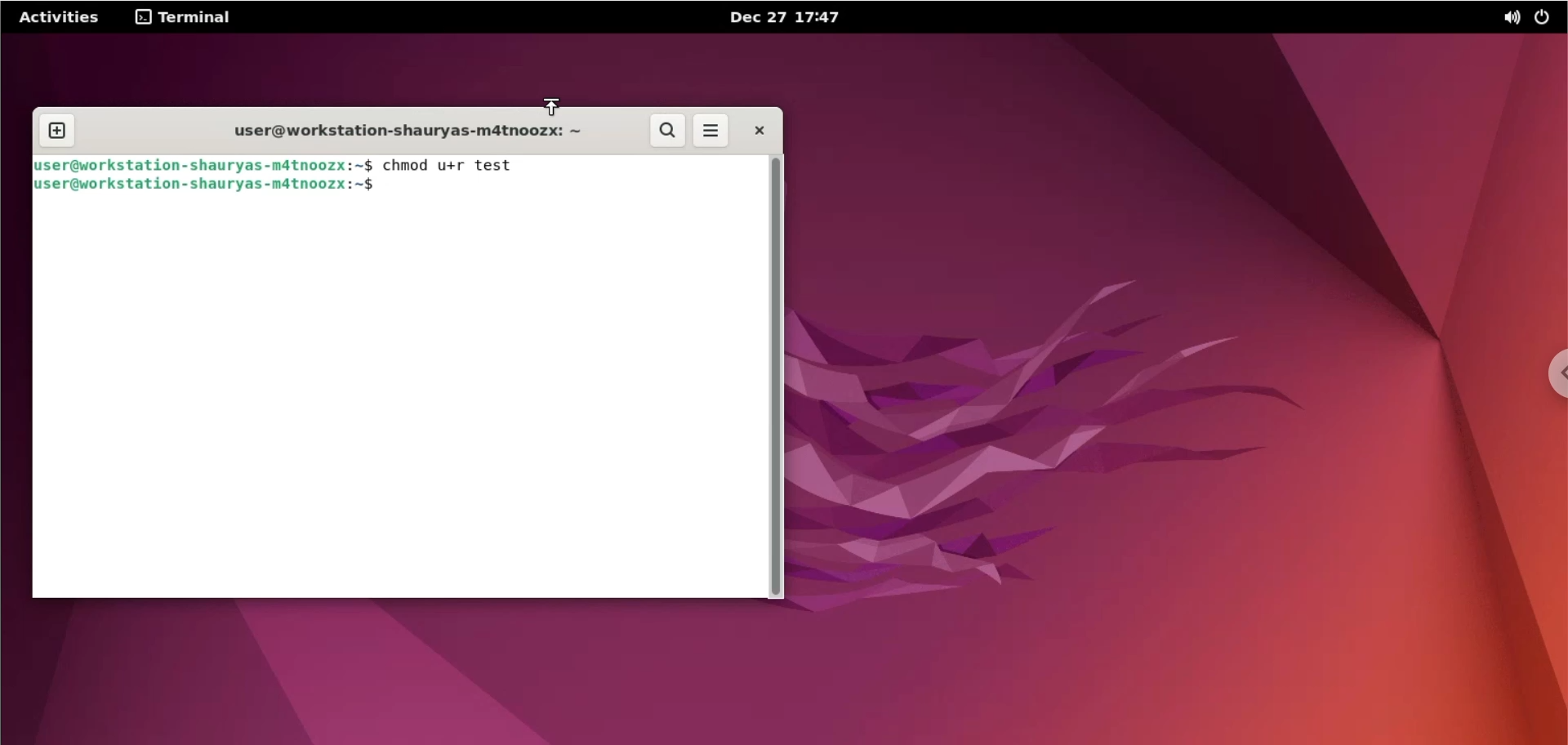 Image resolution: width=1568 pixels, height=745 pixels. What do you see at coordinates (778, 377) in the screenshot?
I see `scrollbar` at bounding box center [778, 377].